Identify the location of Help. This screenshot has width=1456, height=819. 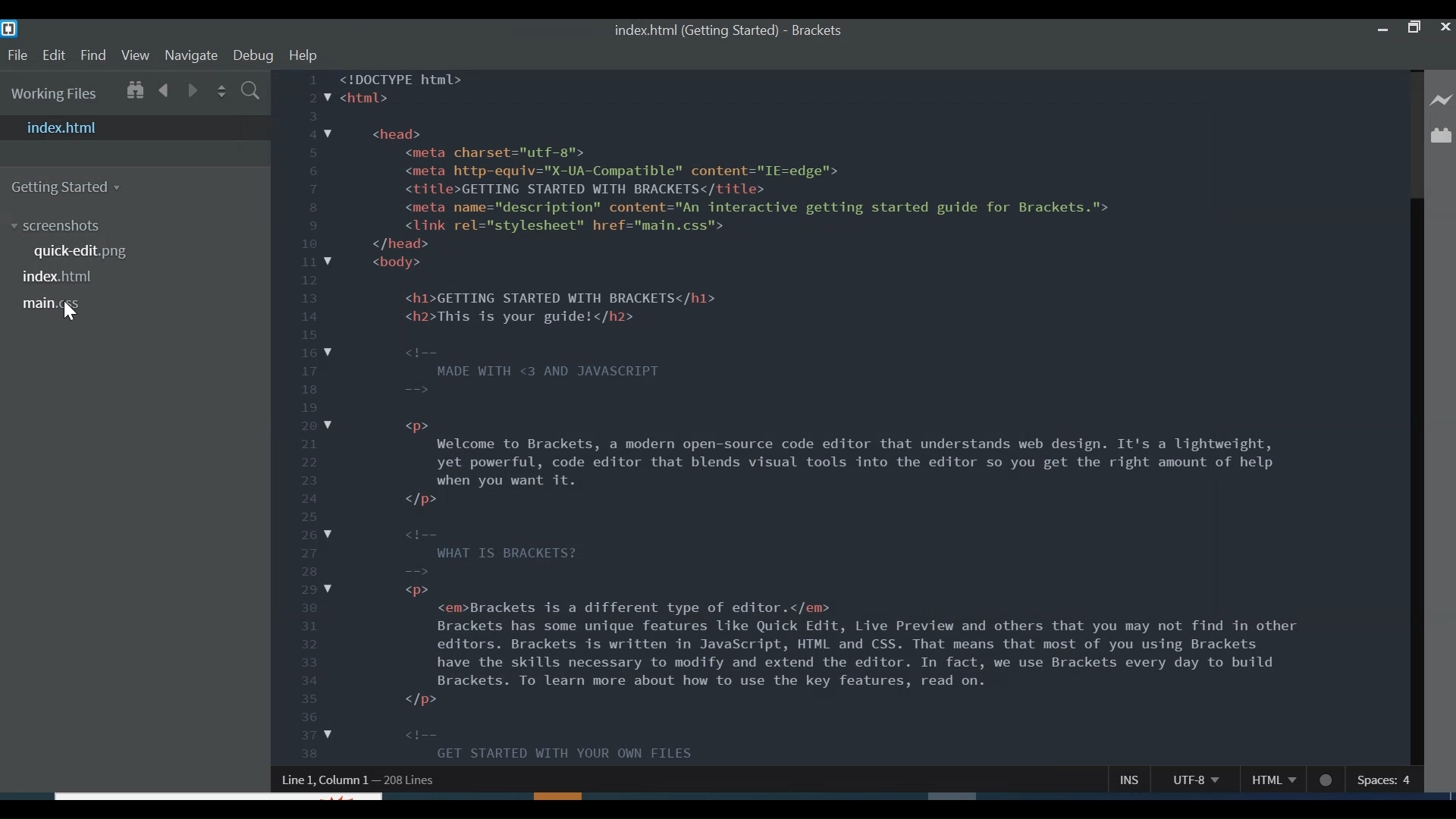
(306, 56).